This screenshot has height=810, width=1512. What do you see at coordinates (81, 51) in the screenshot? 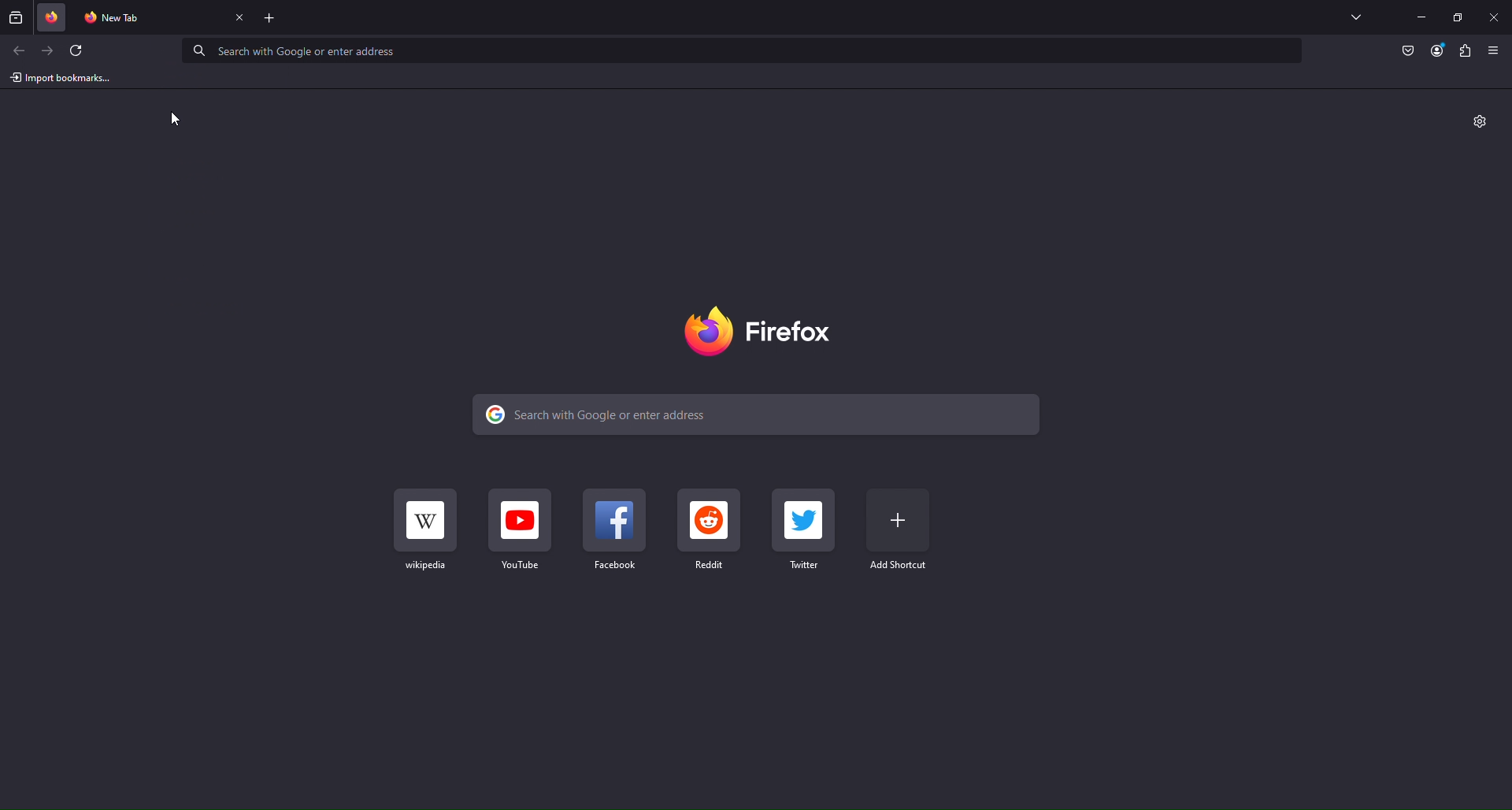
I see `Refresh` at bounding box center [81, 51].